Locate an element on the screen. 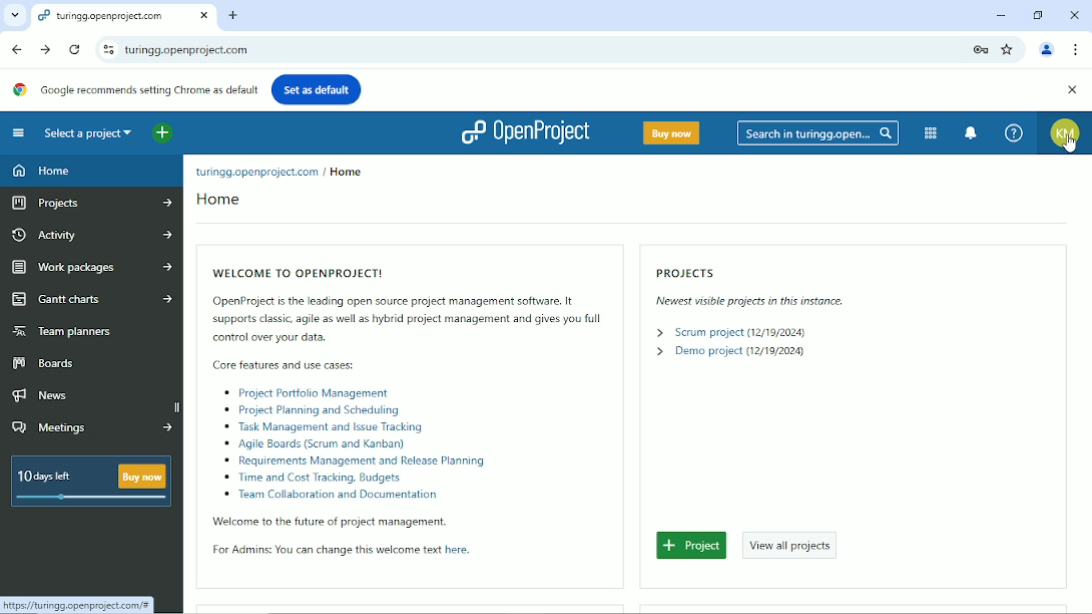 The width and height of the screenshot is (1092, 614). View all projects is located at coordinates (793, 544).